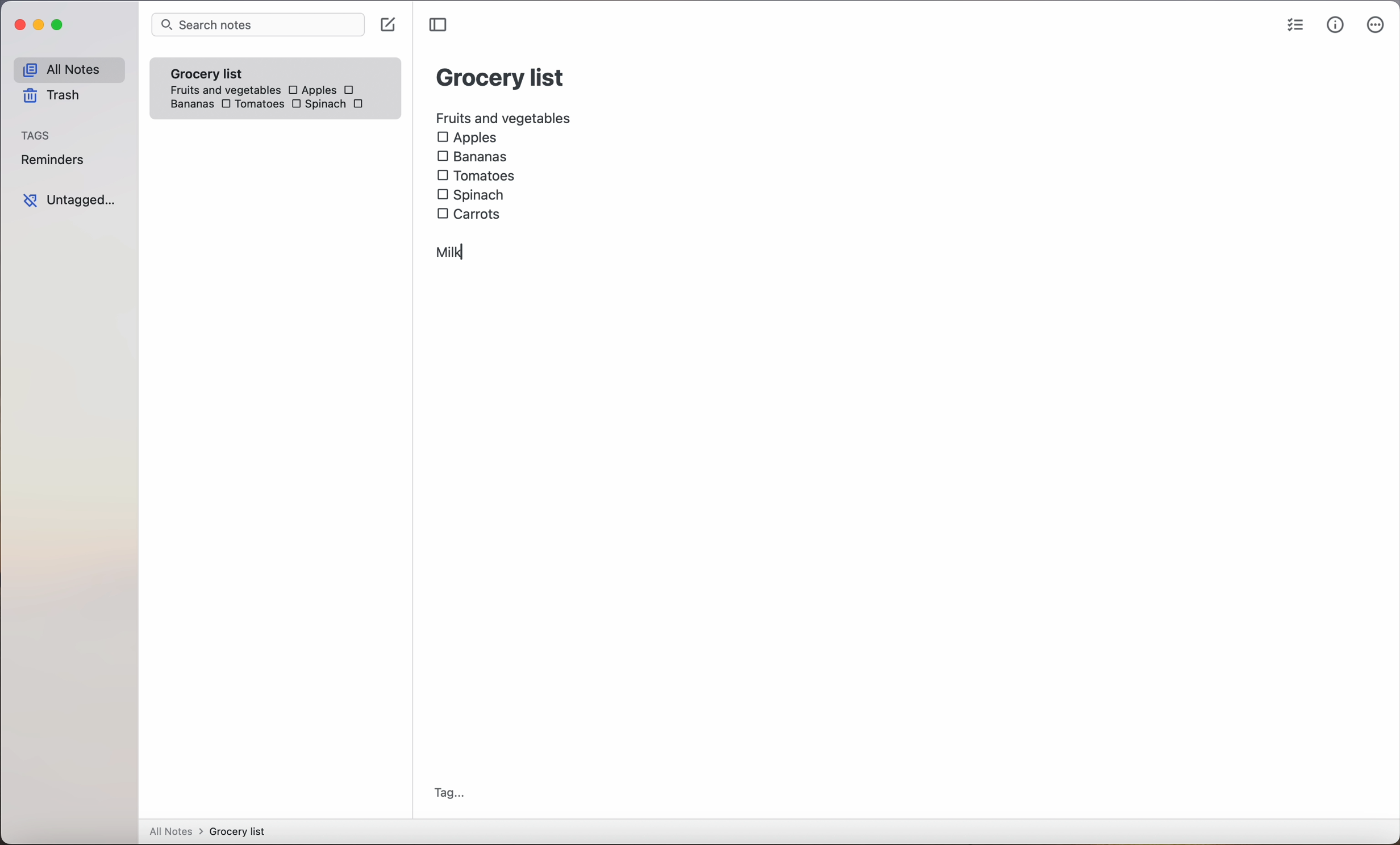  What do you see at coordinates (472, 195) in the screenshot?
I see `Spinach checkbox` at bounding box center [472, 195].